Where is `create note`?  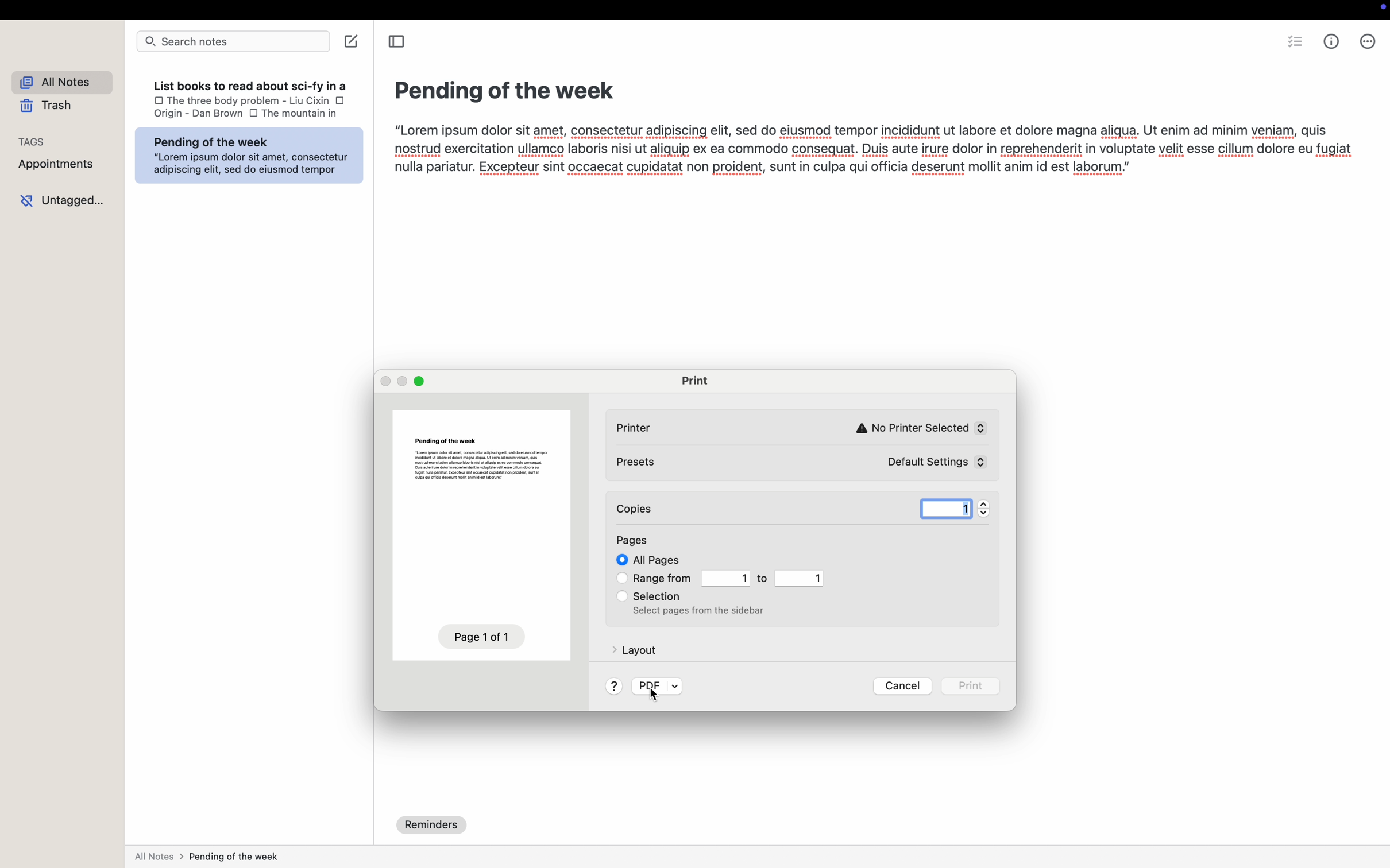
create note is located at coordinates (352, 43).